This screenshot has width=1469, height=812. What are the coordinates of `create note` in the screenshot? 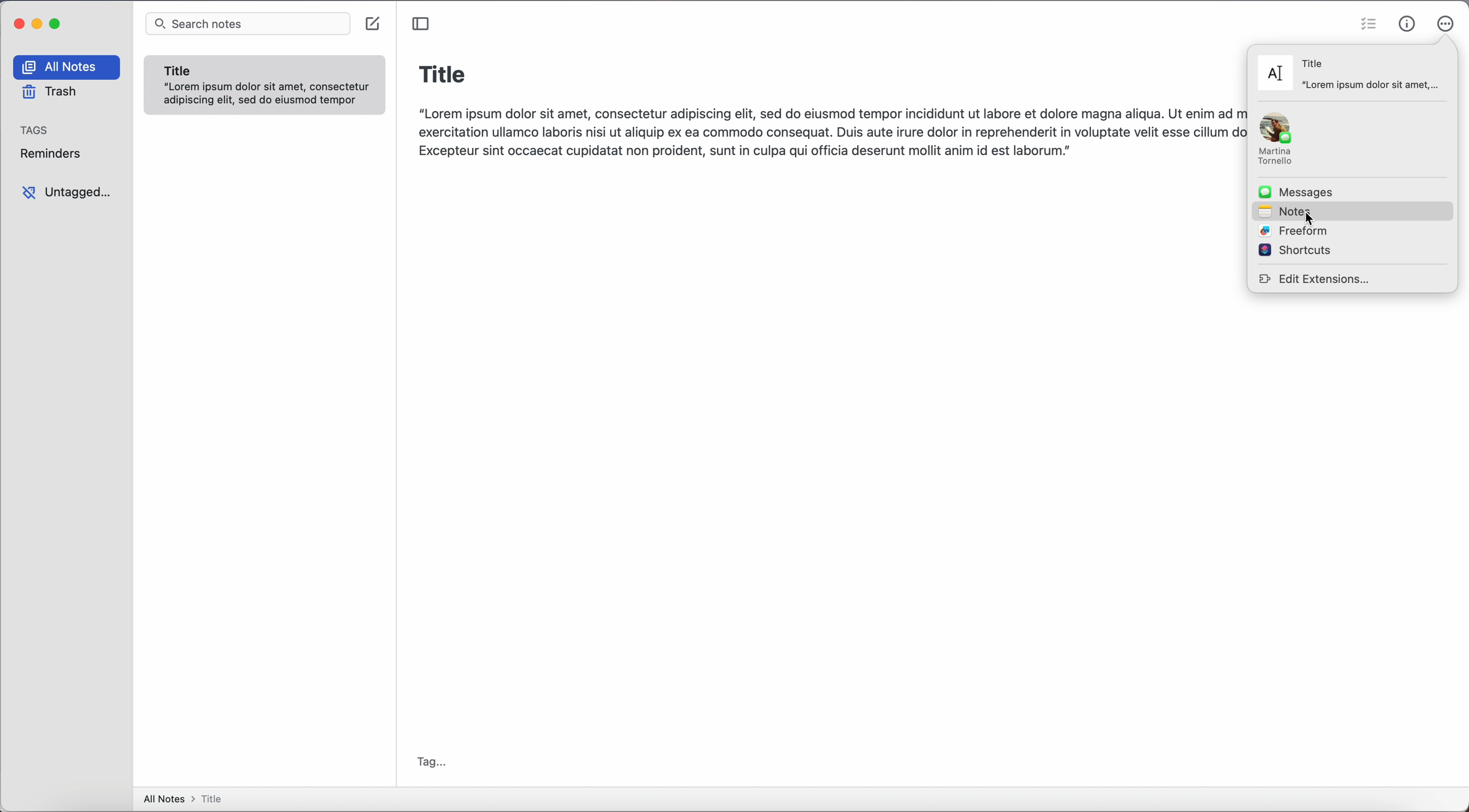 It's located at (375, 25).